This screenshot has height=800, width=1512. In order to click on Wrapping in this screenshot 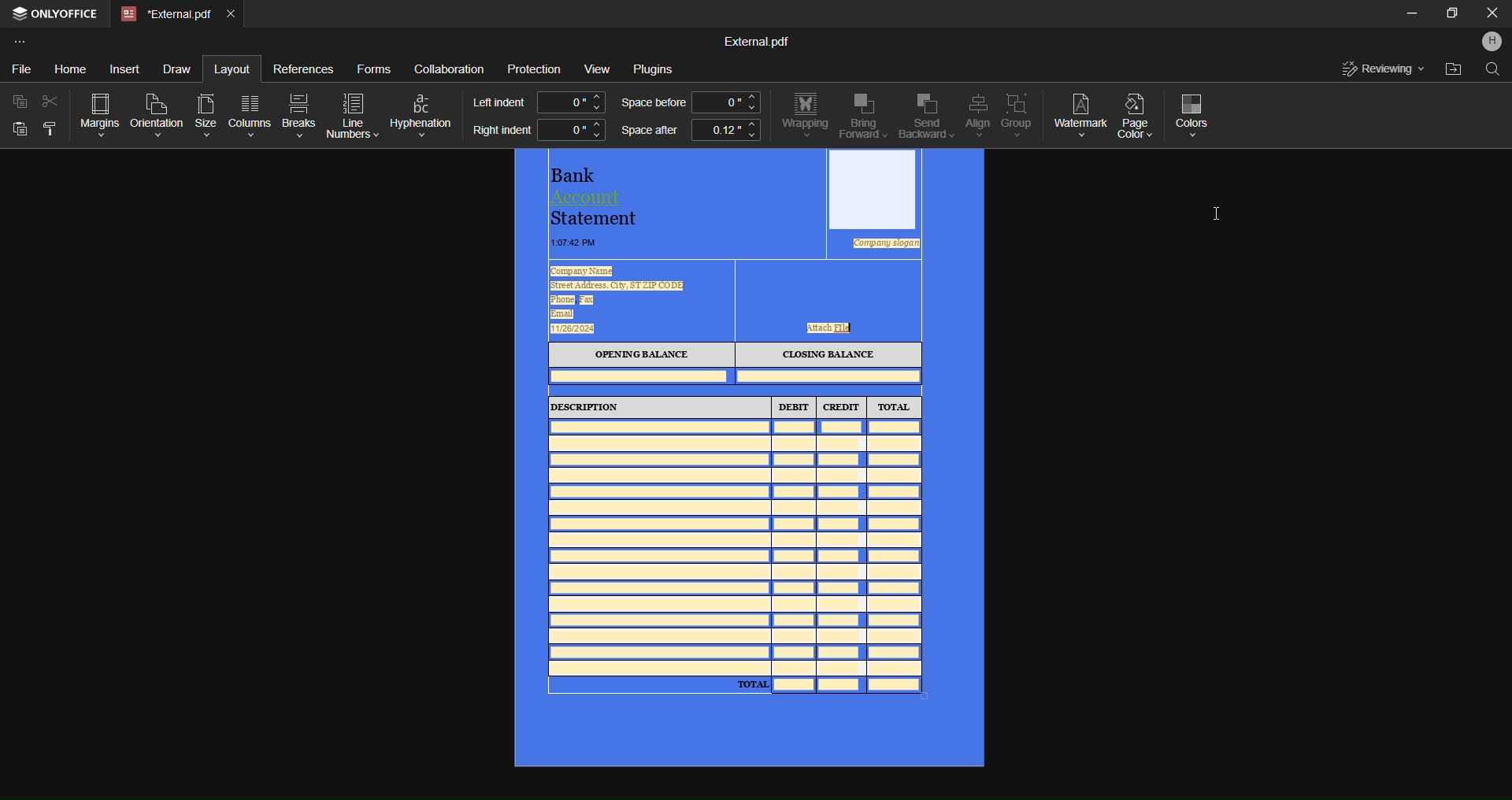, I will do `click(804, 116)`.